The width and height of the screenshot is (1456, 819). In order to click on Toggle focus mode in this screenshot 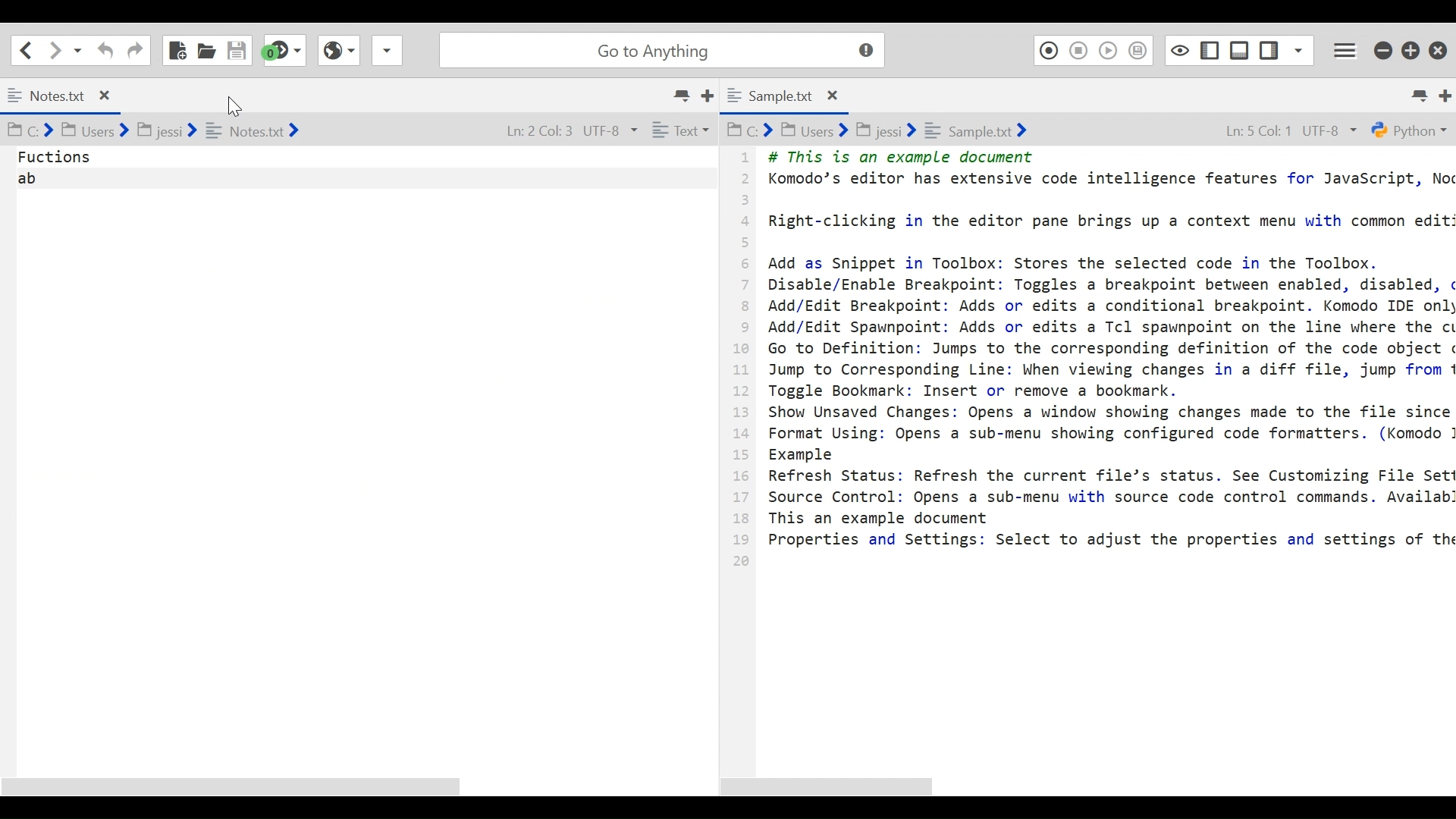, I will do `click(1180, 49)`.